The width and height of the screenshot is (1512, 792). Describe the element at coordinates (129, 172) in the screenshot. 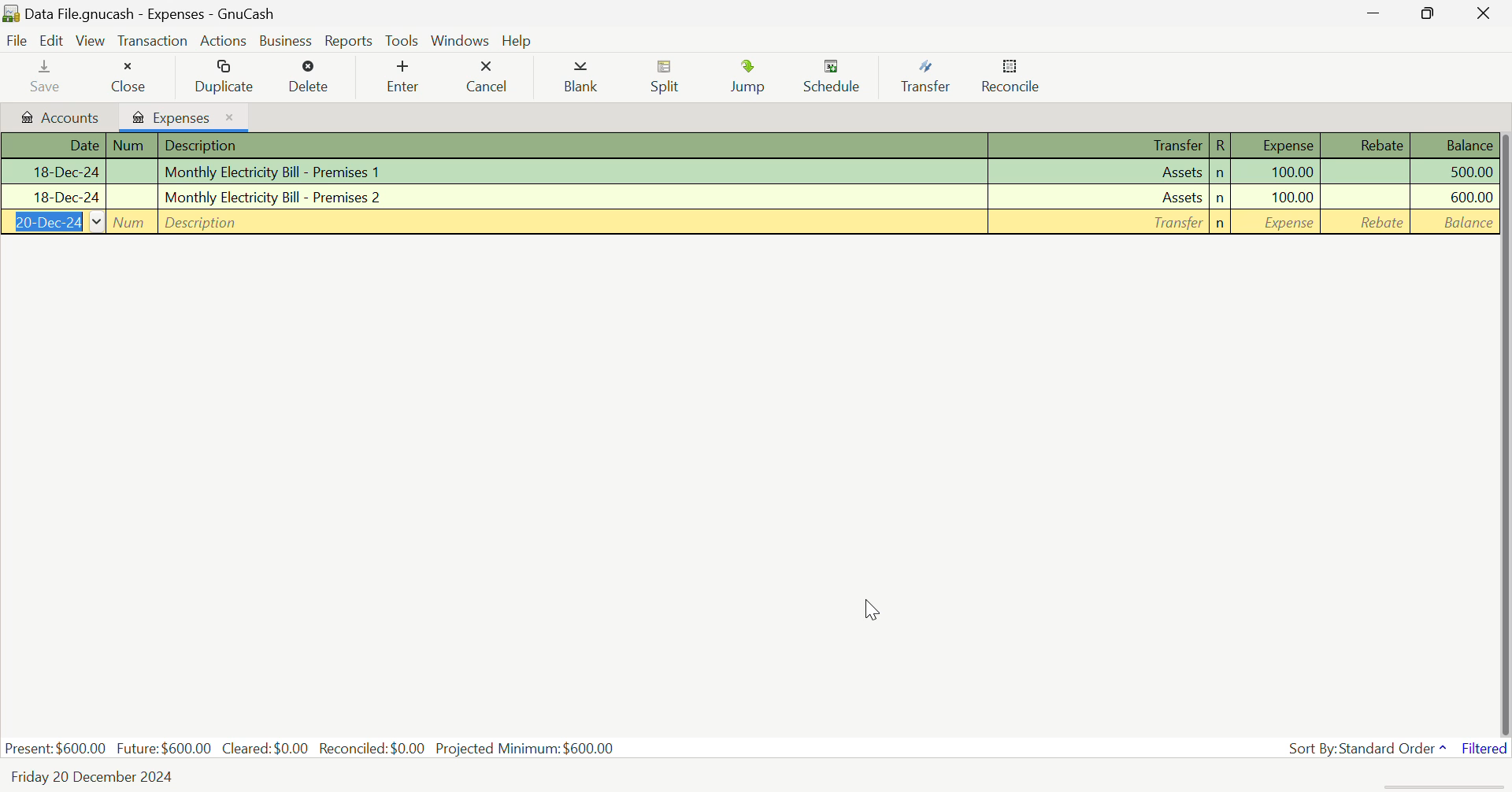

I see `Num` at that location.